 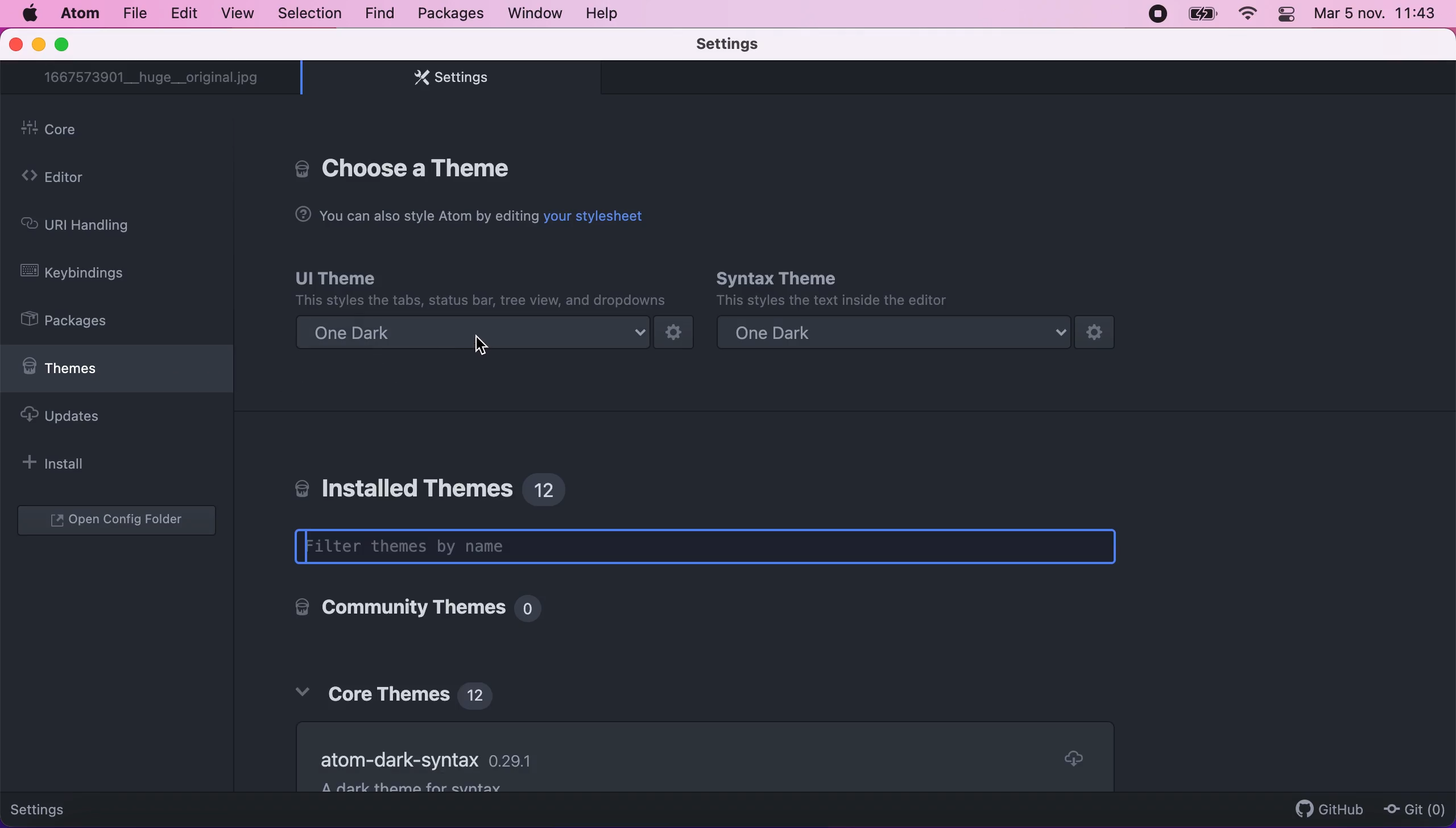 I want to click on core settings, so click(x=408, y=166).